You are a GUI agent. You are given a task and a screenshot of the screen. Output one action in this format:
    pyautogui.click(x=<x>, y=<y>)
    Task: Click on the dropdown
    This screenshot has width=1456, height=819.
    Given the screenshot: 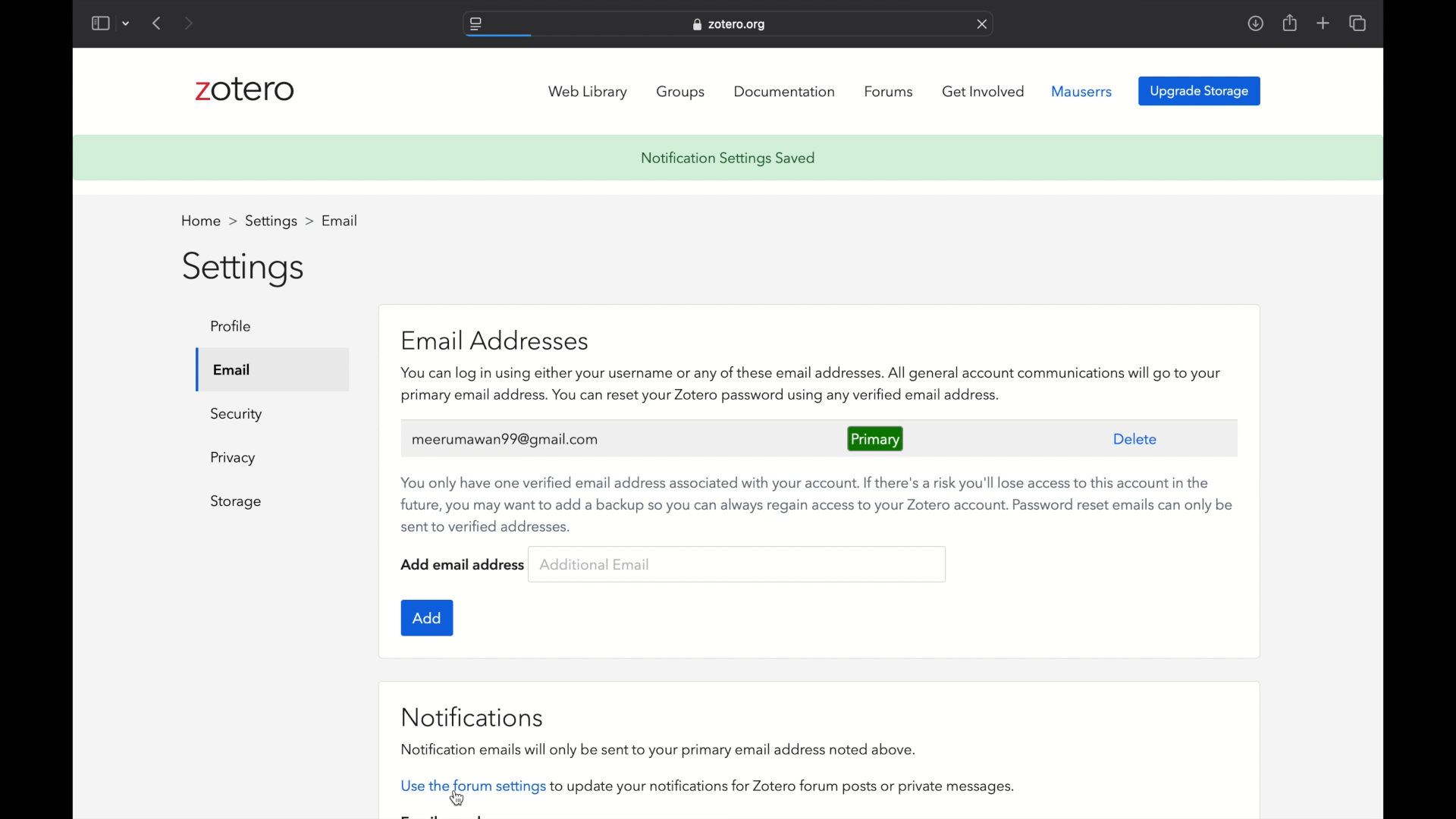 What is the action you would take?
    pyautogui.click(x=127, y=24)
    